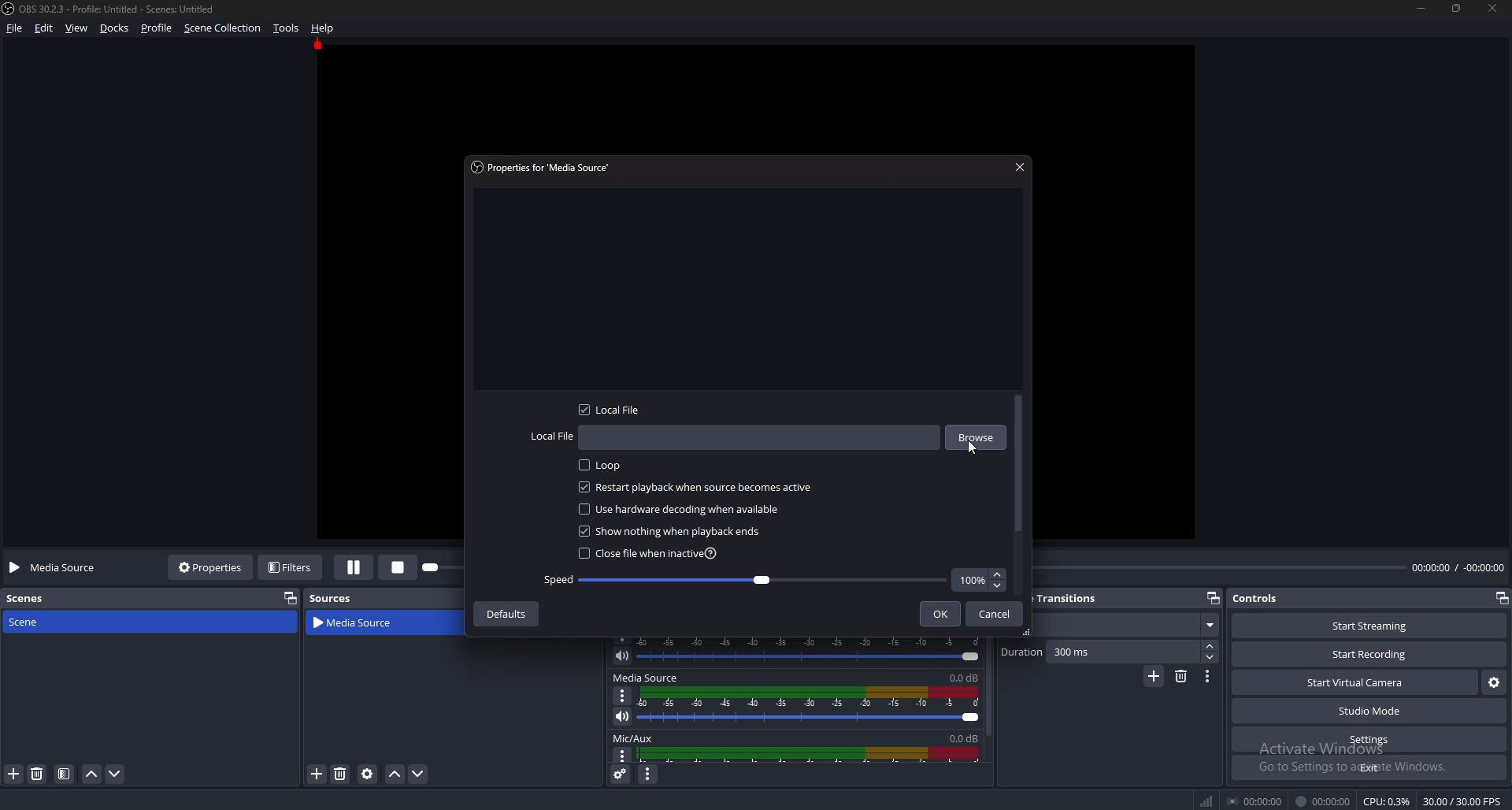 The image size is (1512, 810). Describe the element at coordinates (9, 9) in the screenshot. I see `OBS LOGO` at that location.